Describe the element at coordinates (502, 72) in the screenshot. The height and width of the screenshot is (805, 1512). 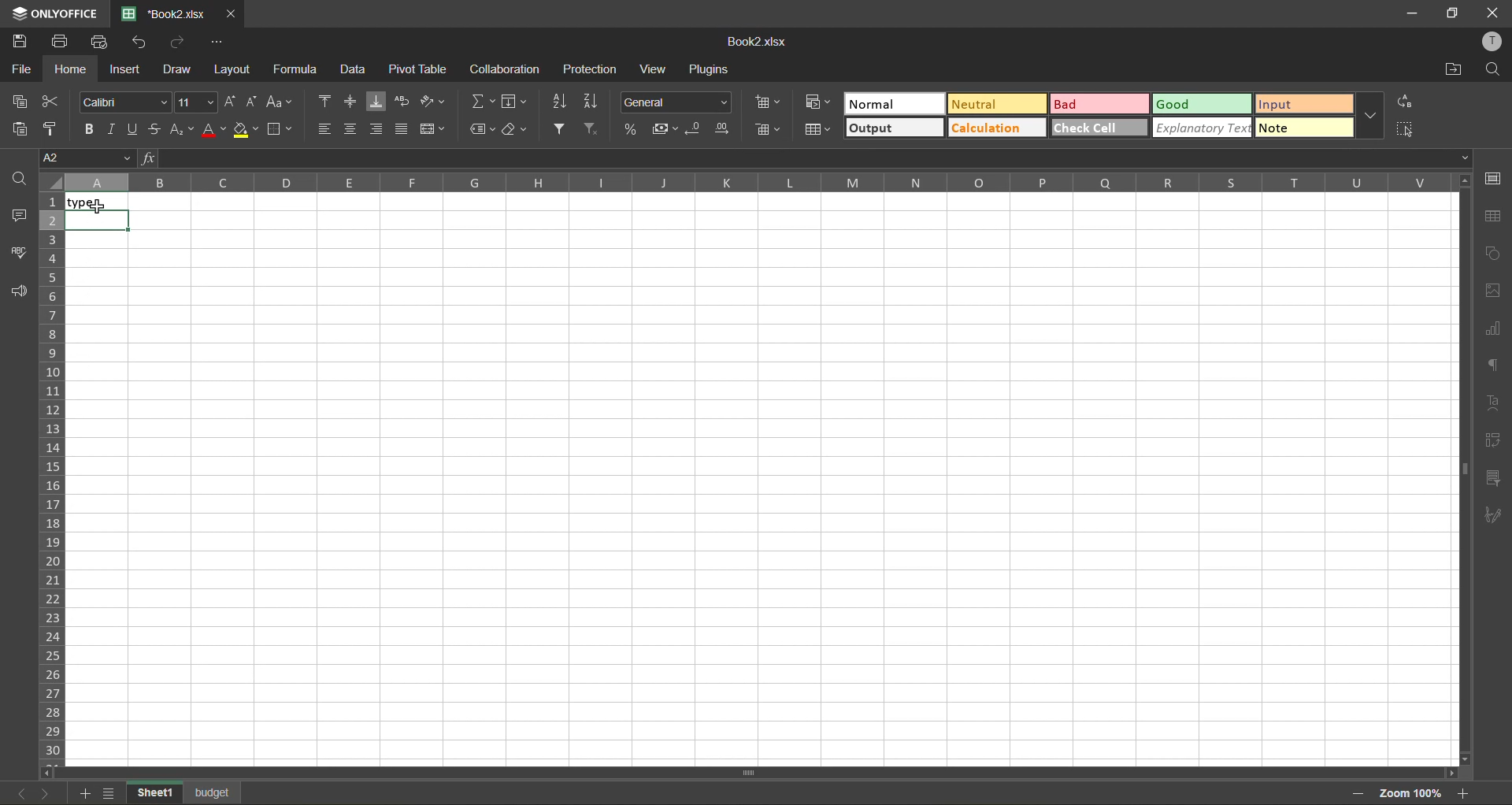
I see `collaboration` at that location.